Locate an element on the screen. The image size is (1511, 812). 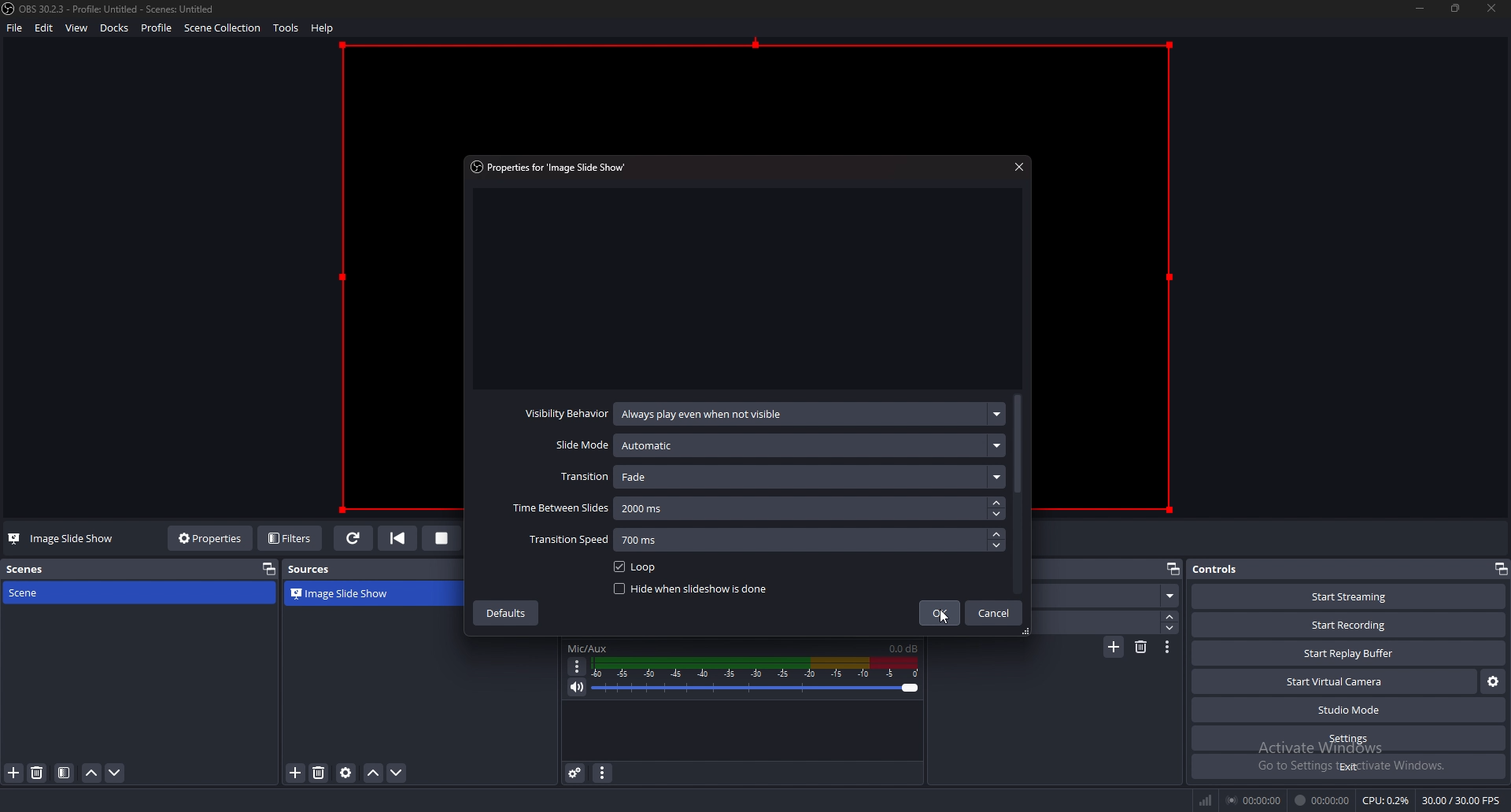
studio mode is located at coordinates (1347, 710).